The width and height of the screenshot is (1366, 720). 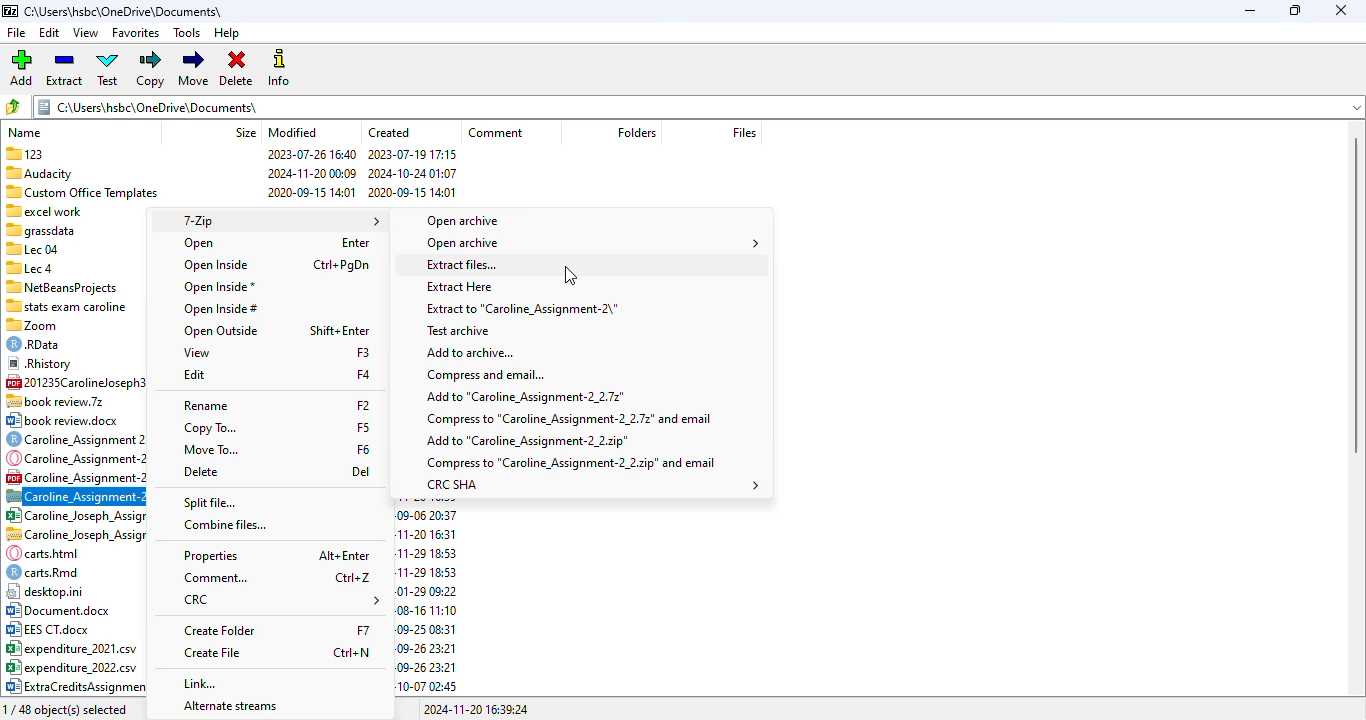 What do you see at coordinates (136, 34) in the screenshot?
I see `favorites` at bounding box center [136, 34].